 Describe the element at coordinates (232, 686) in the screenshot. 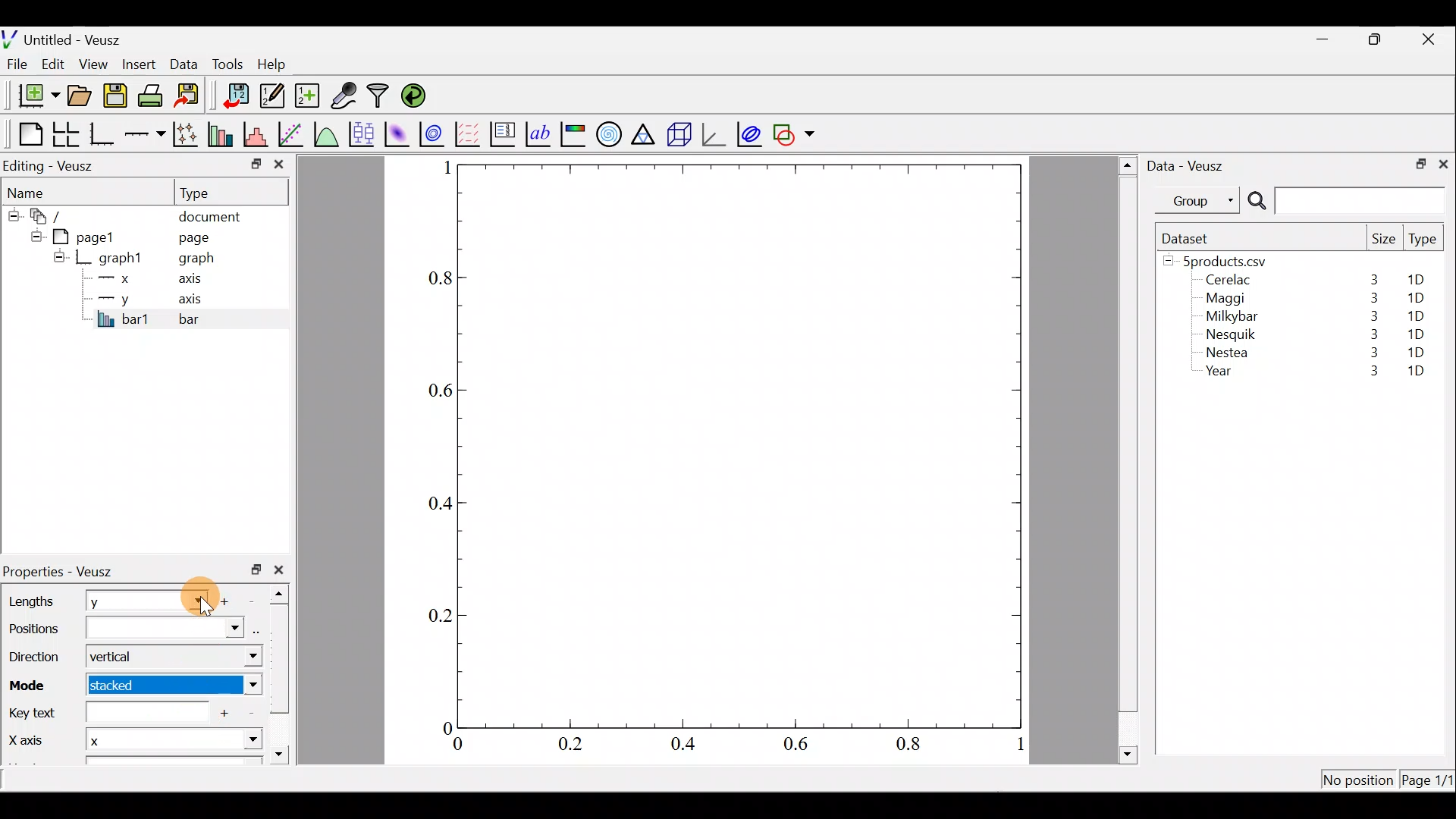

I see `mode dropdown` at that location.